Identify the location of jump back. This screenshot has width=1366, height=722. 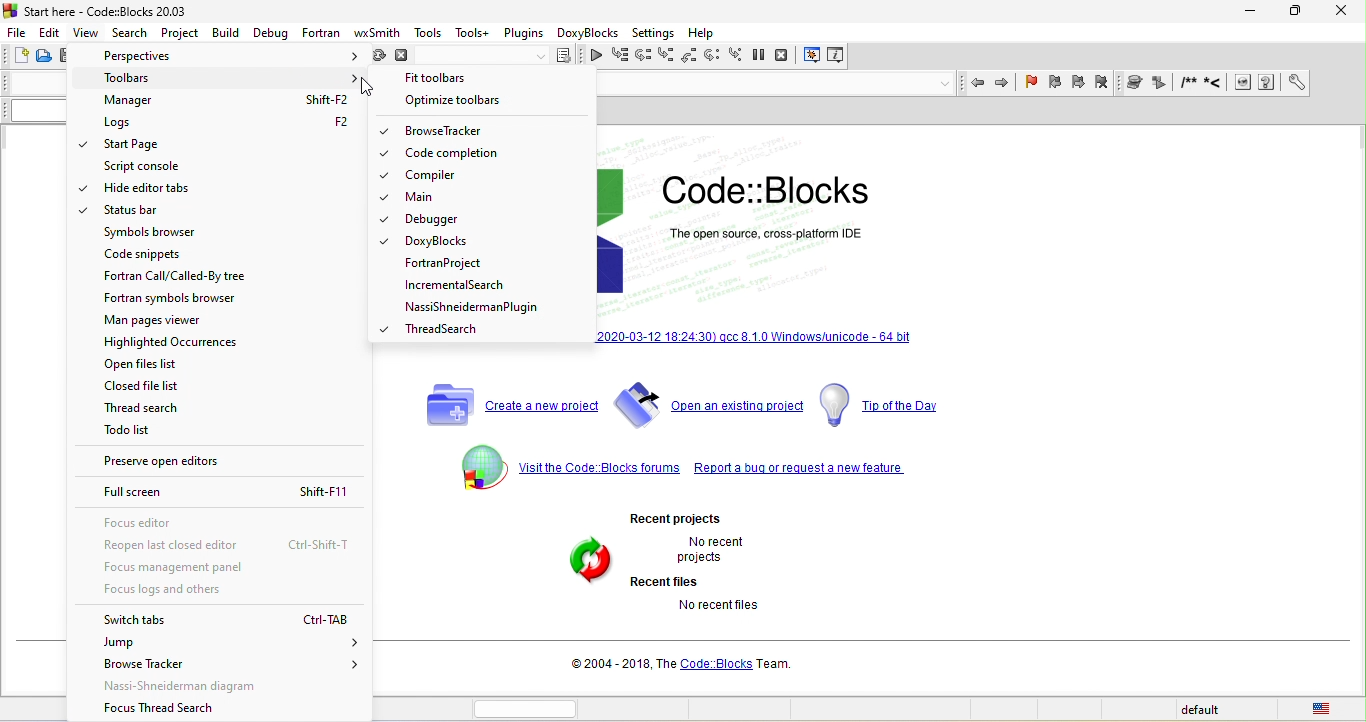
(978, 84).